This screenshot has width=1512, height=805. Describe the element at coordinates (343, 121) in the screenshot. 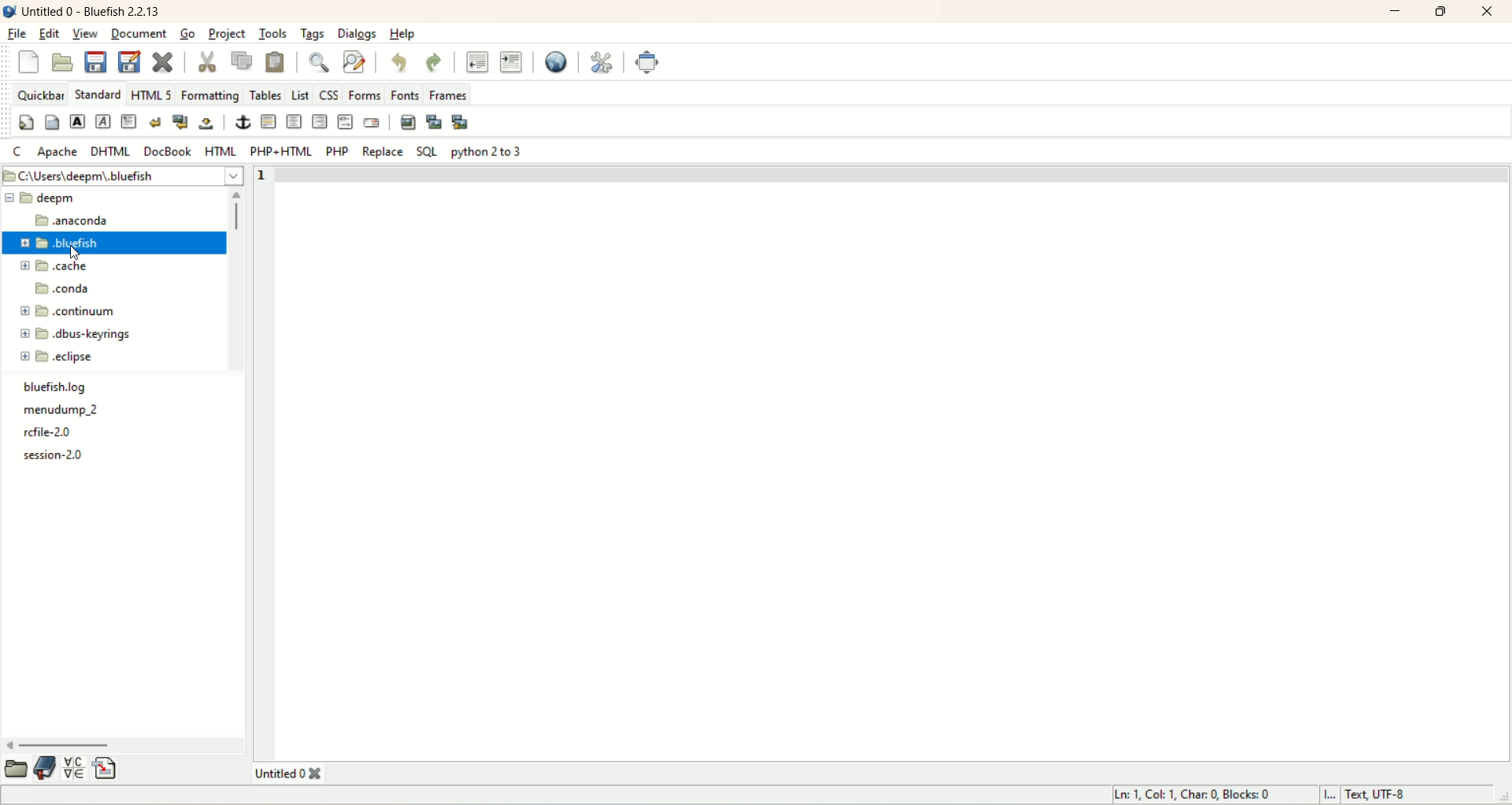

I see `HTML comment` at that location.